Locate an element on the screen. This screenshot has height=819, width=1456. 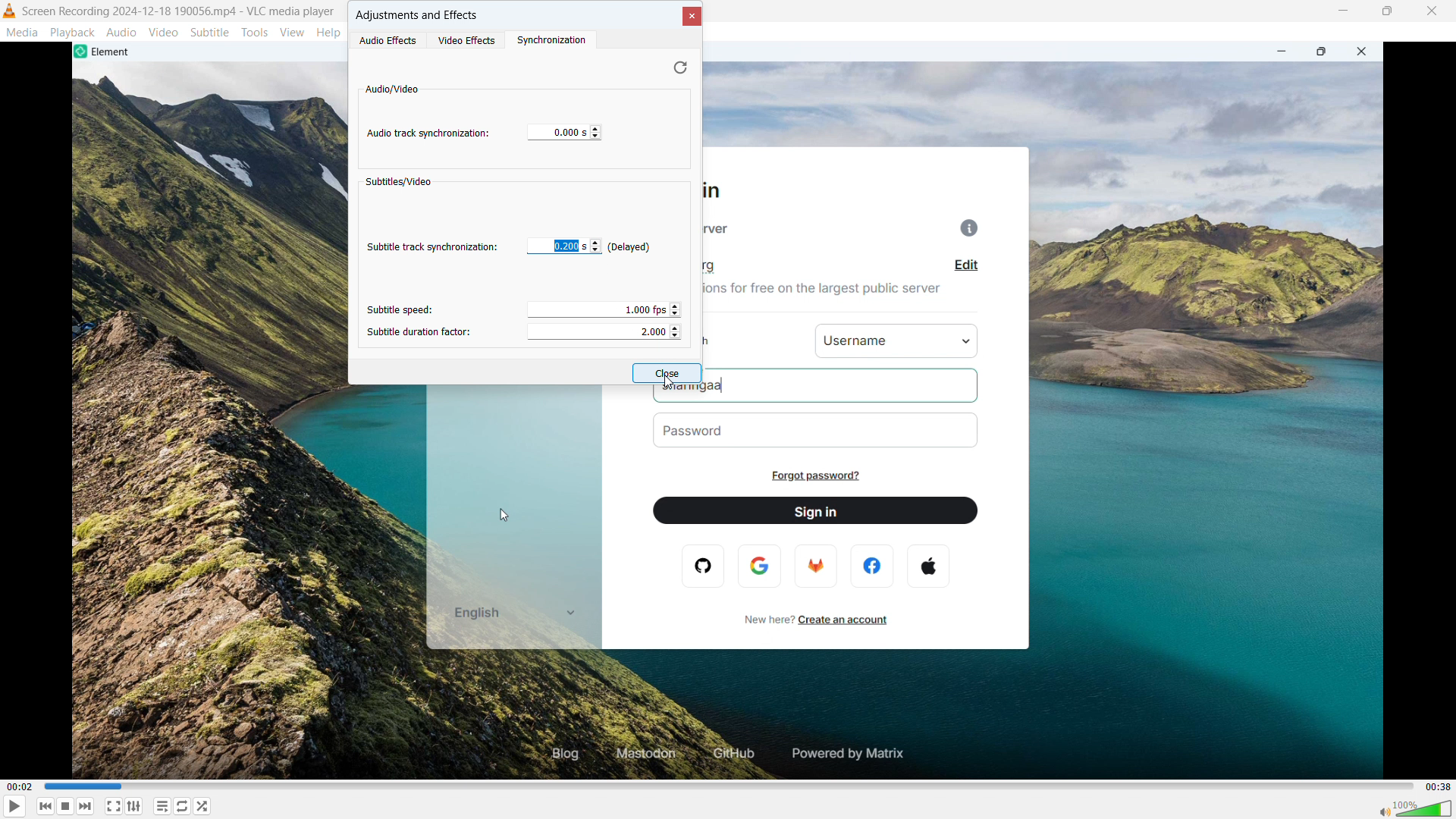
new here? is located at coordinates (766, 618).